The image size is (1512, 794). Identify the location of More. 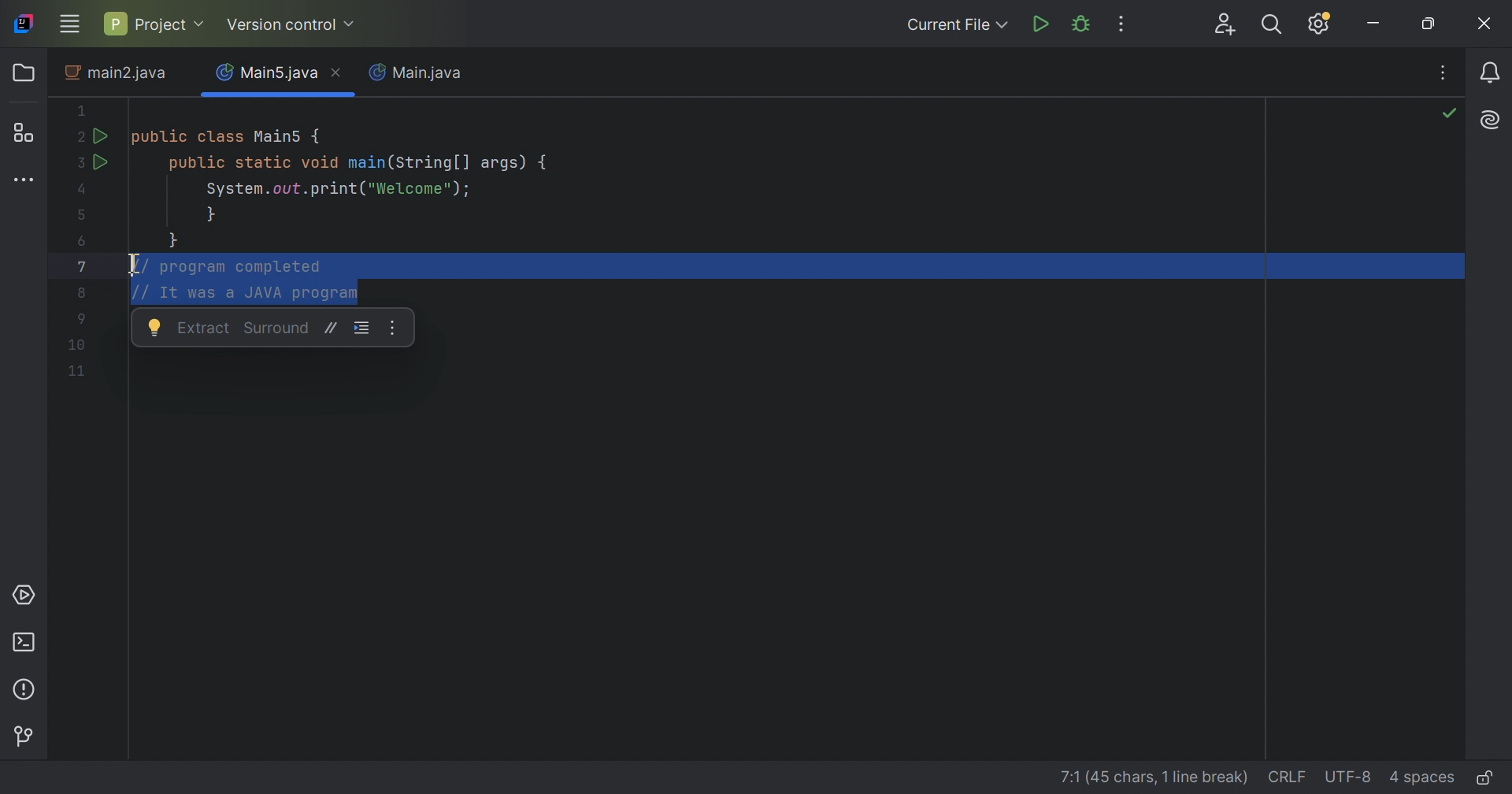
(391, 328).